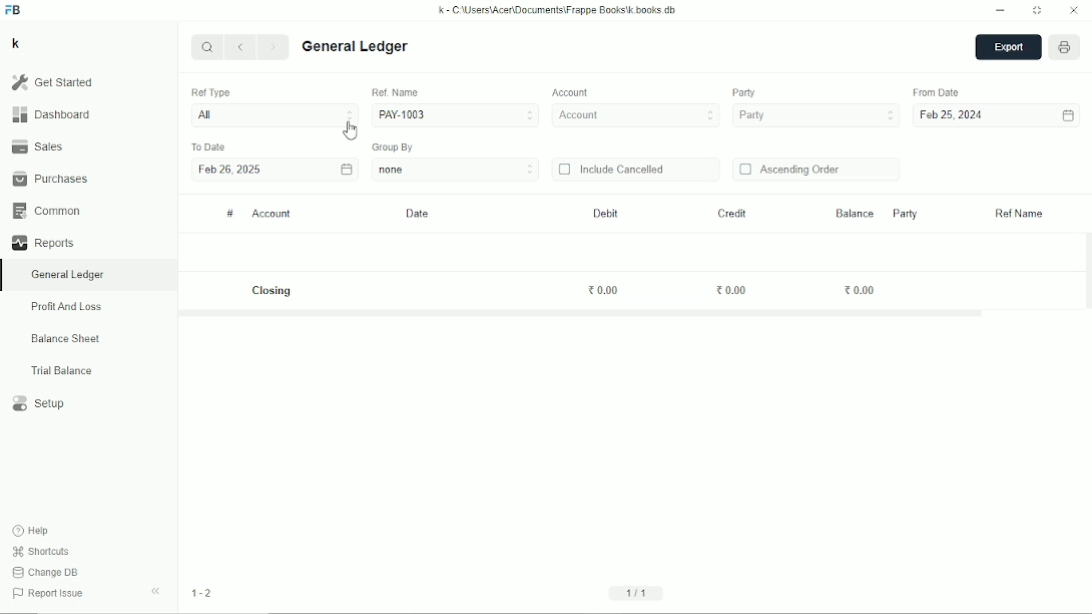 Image resolution: width=1092 pixels, height=614 pixels. What do you see at coordinates (455, 114) in the screenshot?
I see `PAY-1003` at bounding box center [455, 114].